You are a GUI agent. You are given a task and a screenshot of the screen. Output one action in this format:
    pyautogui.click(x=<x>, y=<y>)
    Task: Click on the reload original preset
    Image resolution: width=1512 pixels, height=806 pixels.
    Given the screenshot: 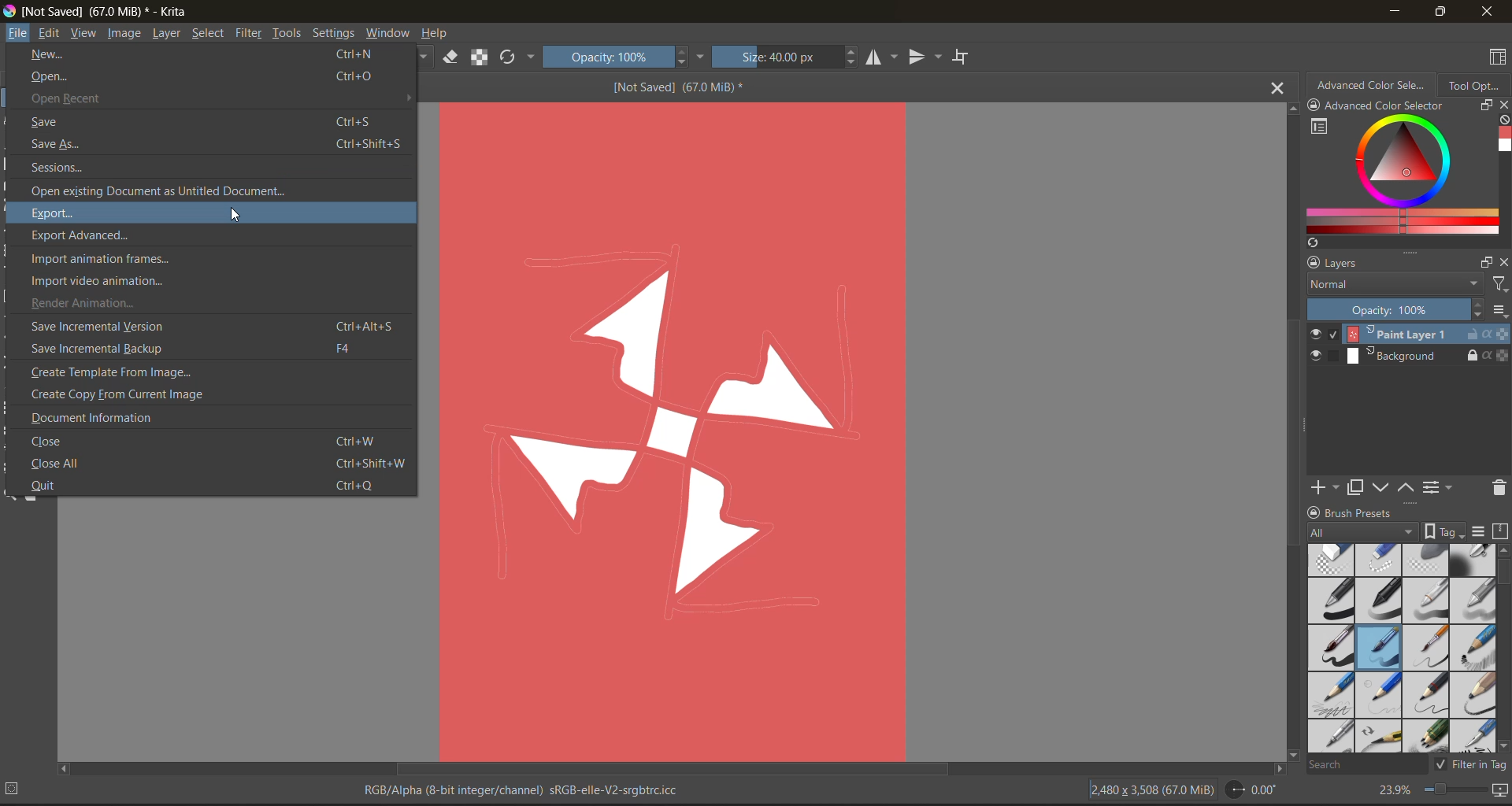 What is the action you would take?
    pyautogui.click(x=511, y=55)
    